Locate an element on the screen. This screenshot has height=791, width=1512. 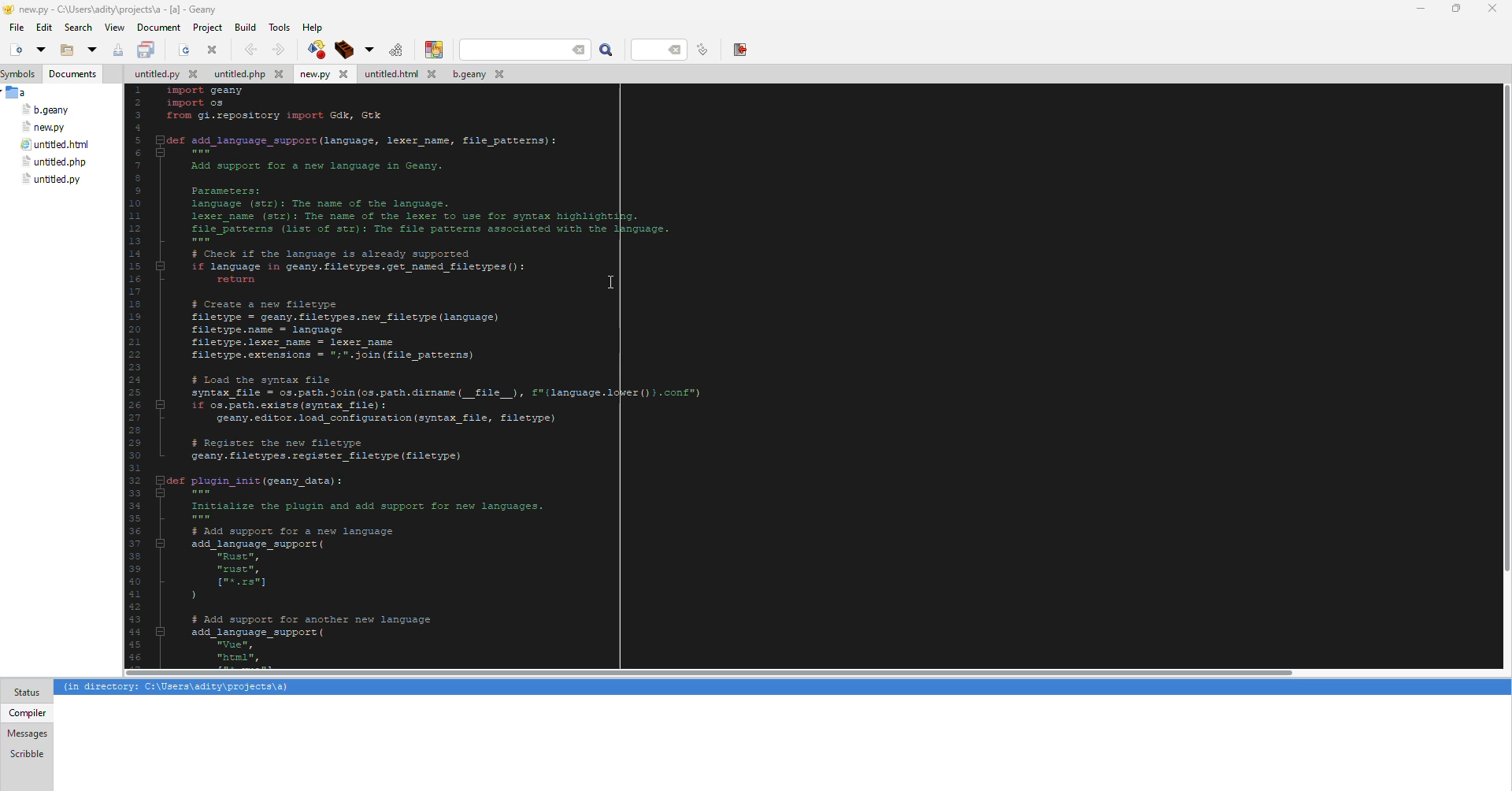
line is located at coordinates (701, 50).